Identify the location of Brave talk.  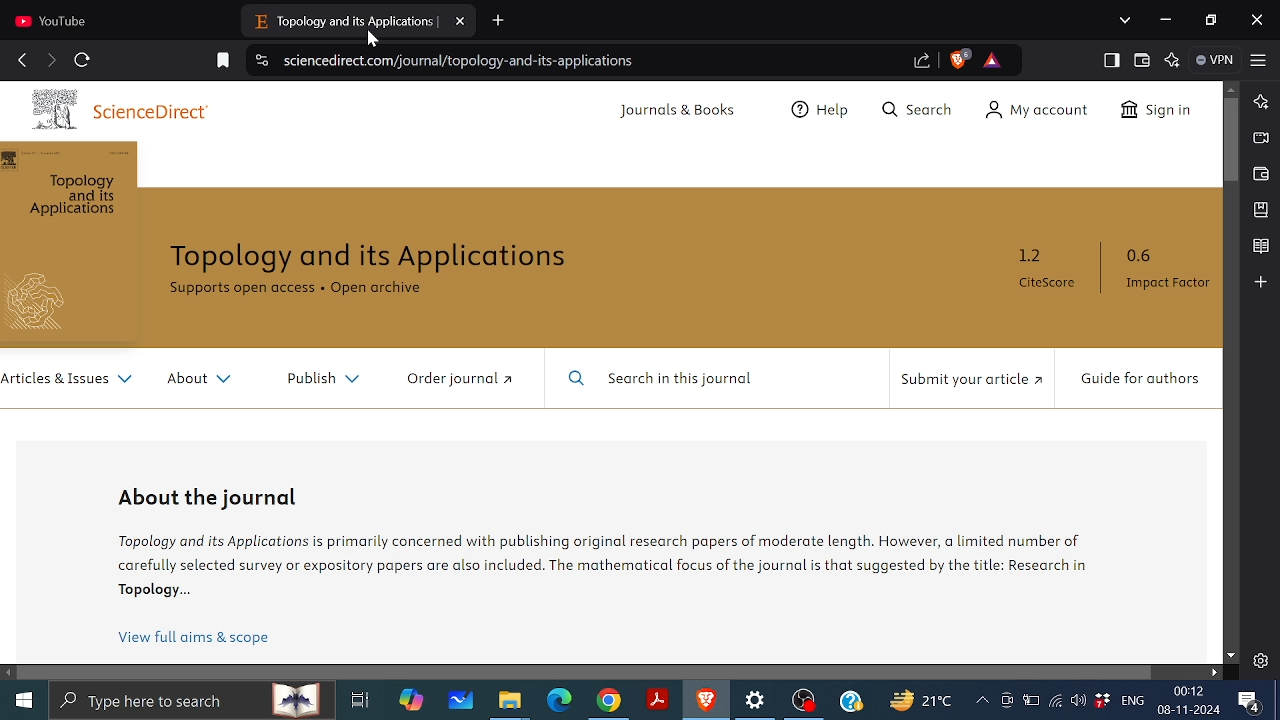
(1259, 137).